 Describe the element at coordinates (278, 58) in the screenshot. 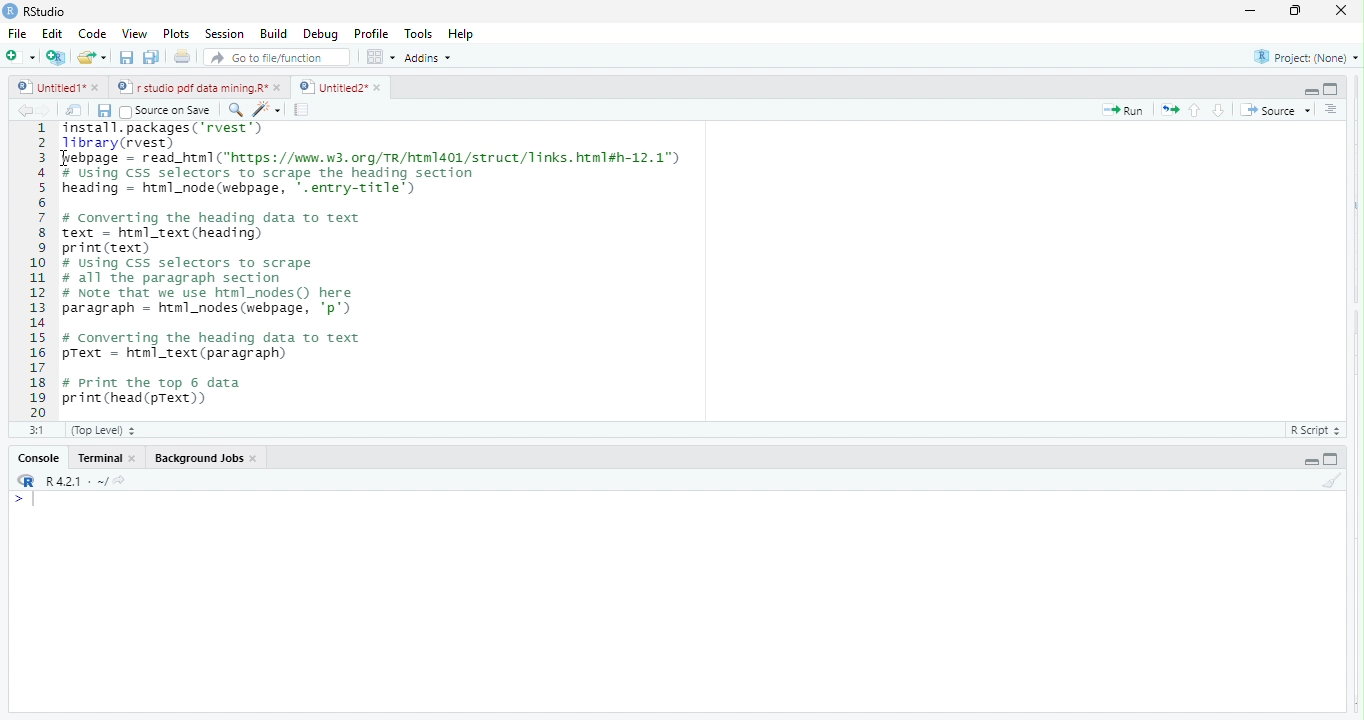

I see ` Go to file/function` at that location.